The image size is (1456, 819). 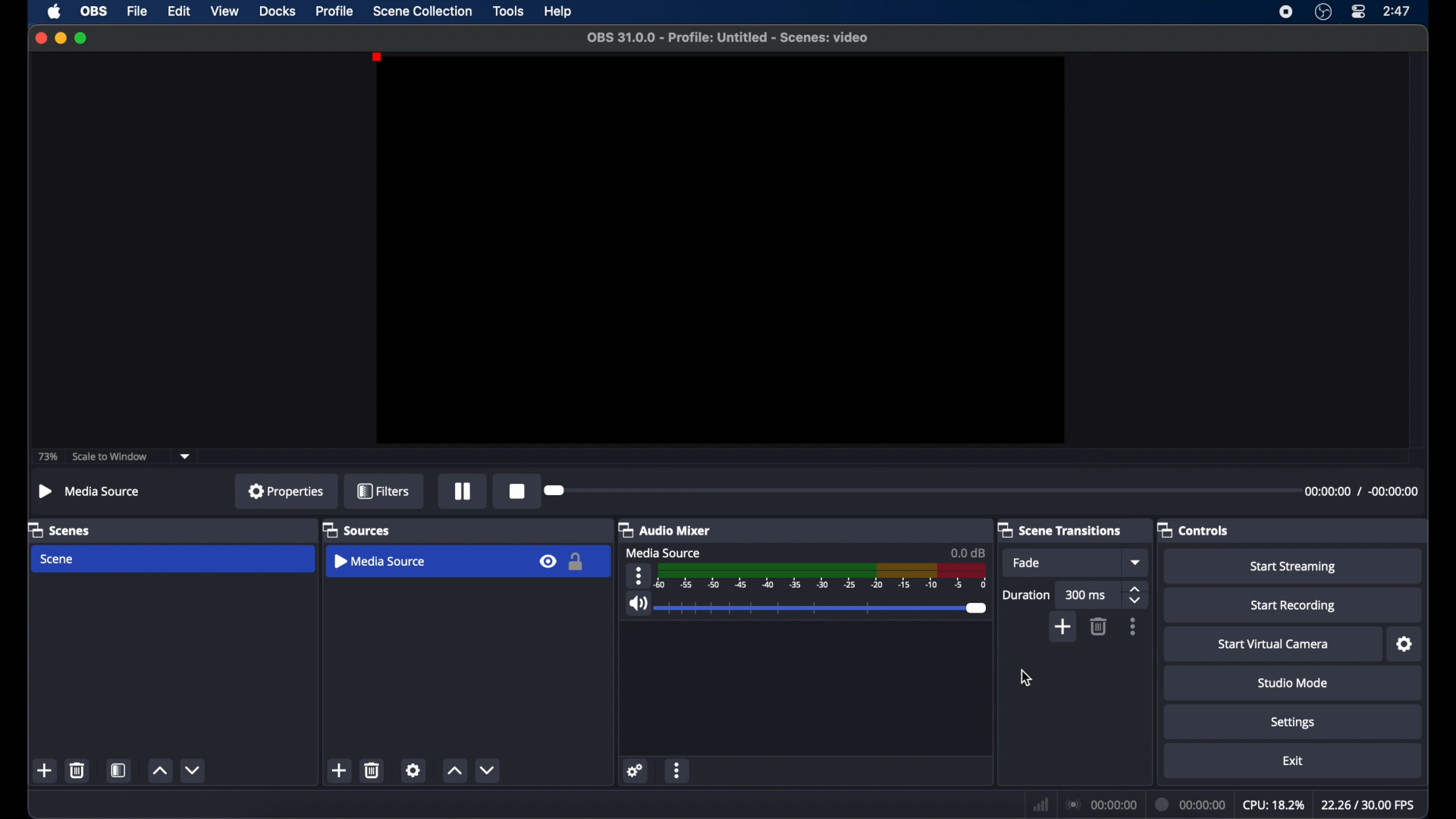 I want to click on delete, so click(x=77, y=770).